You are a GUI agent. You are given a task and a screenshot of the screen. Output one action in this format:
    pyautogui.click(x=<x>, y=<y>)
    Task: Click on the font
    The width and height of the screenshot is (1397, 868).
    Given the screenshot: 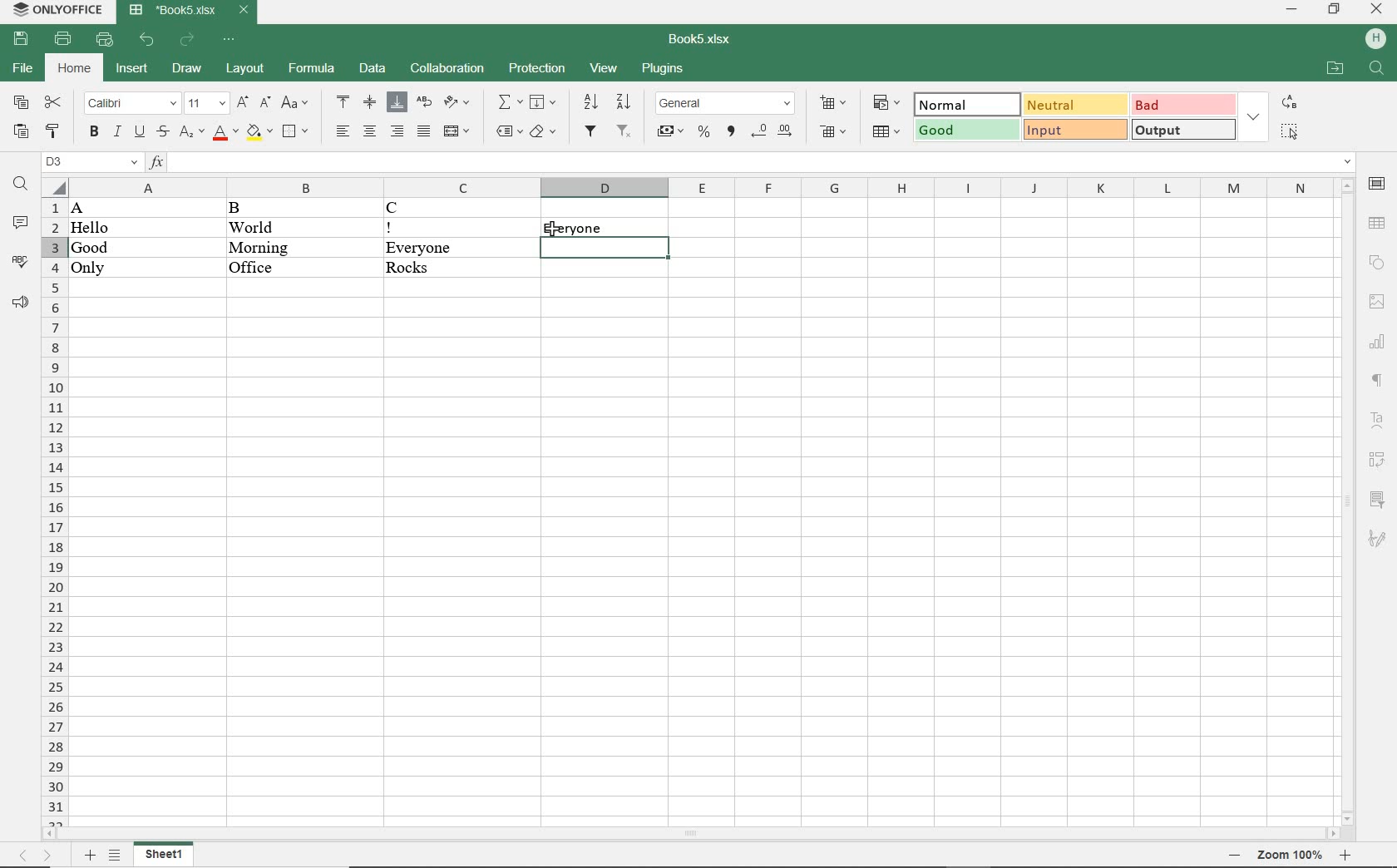 What is the action you would take?
    pyautogui.click(x=130, y=104)
    